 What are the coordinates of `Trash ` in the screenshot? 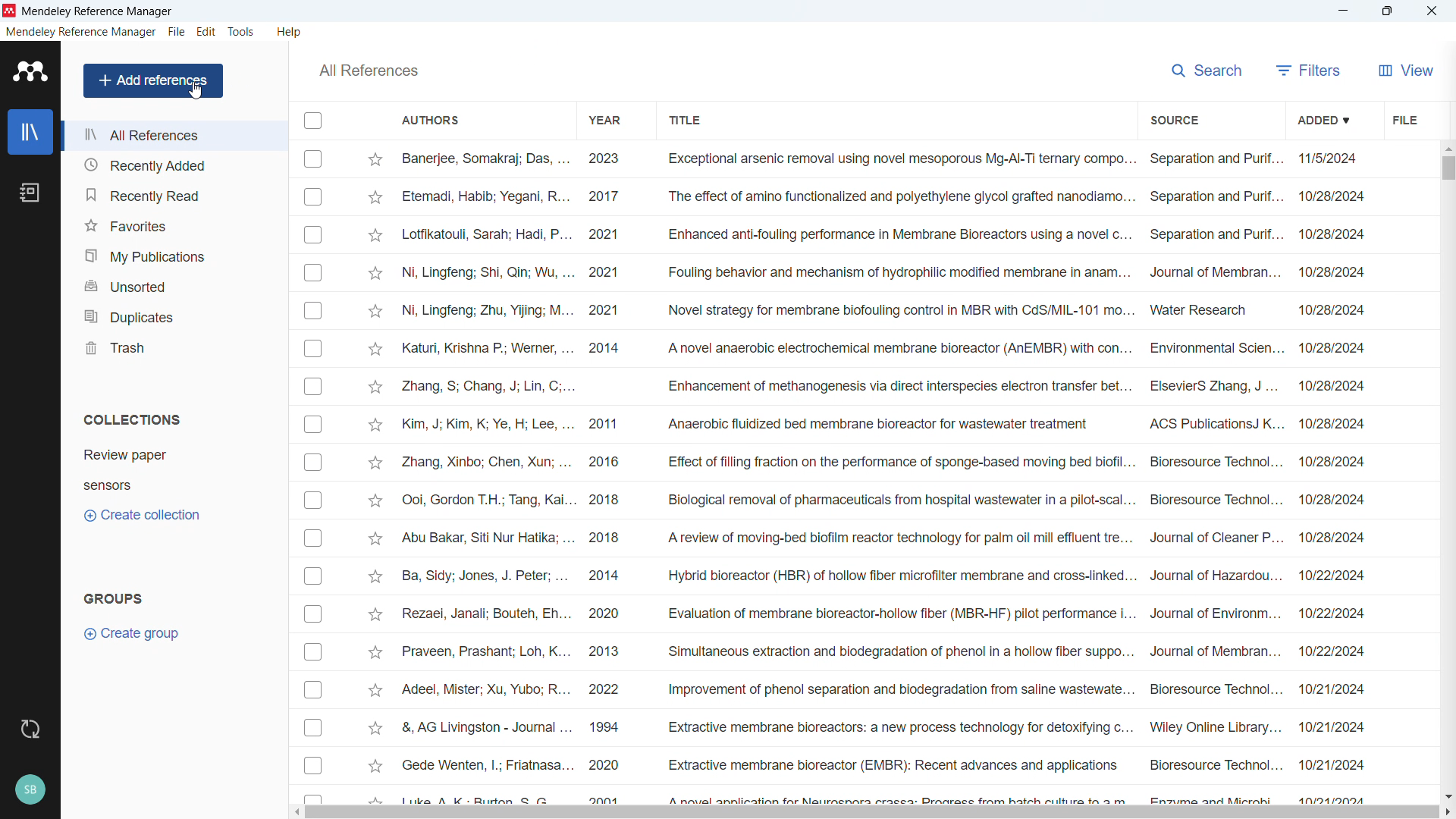 It's located at (173, 347).